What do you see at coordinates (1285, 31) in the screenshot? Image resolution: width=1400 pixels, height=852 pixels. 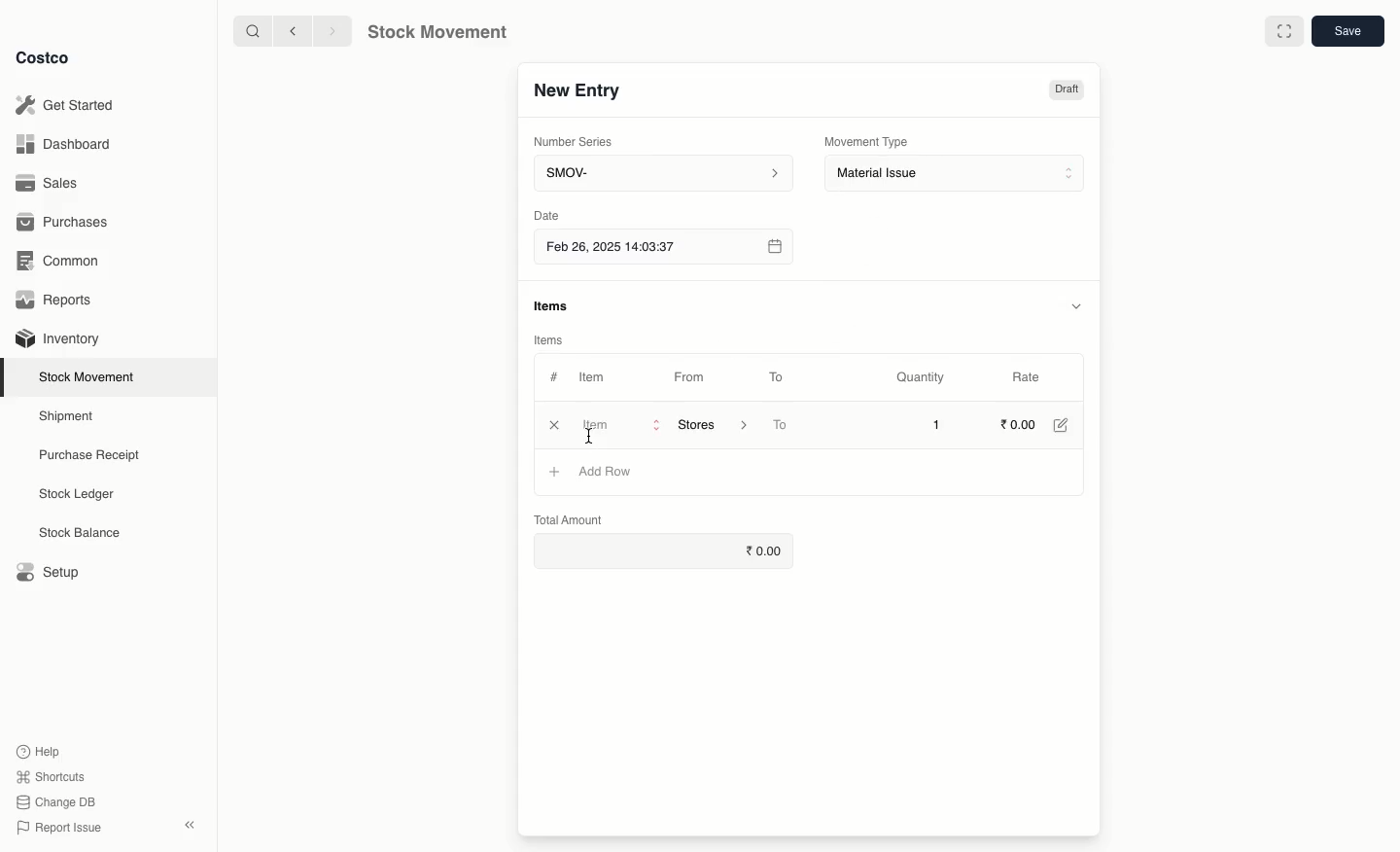 I see `Full width toggle` at bounding box center [1285, 31].